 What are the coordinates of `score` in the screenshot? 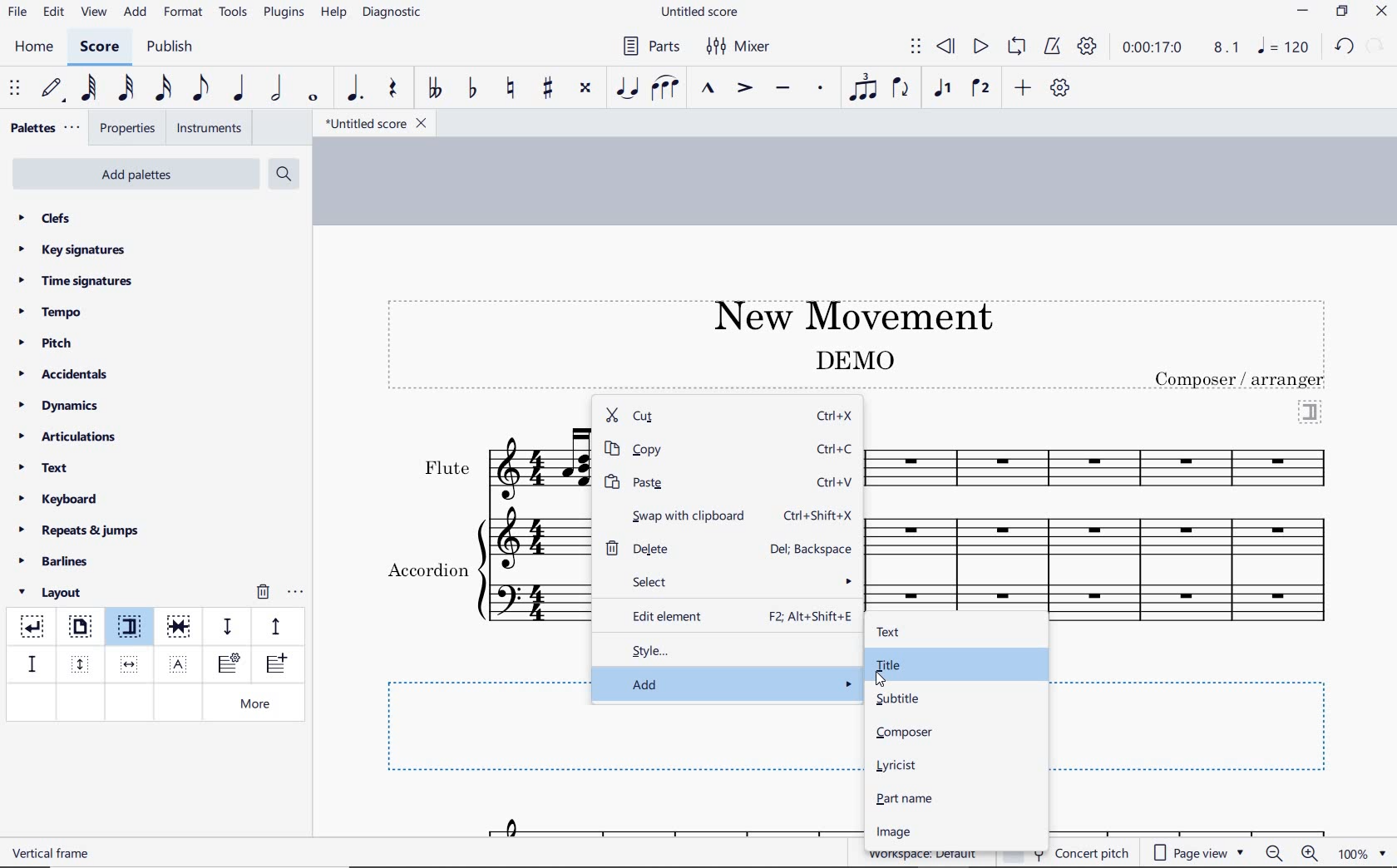 It's located at (100, 49).